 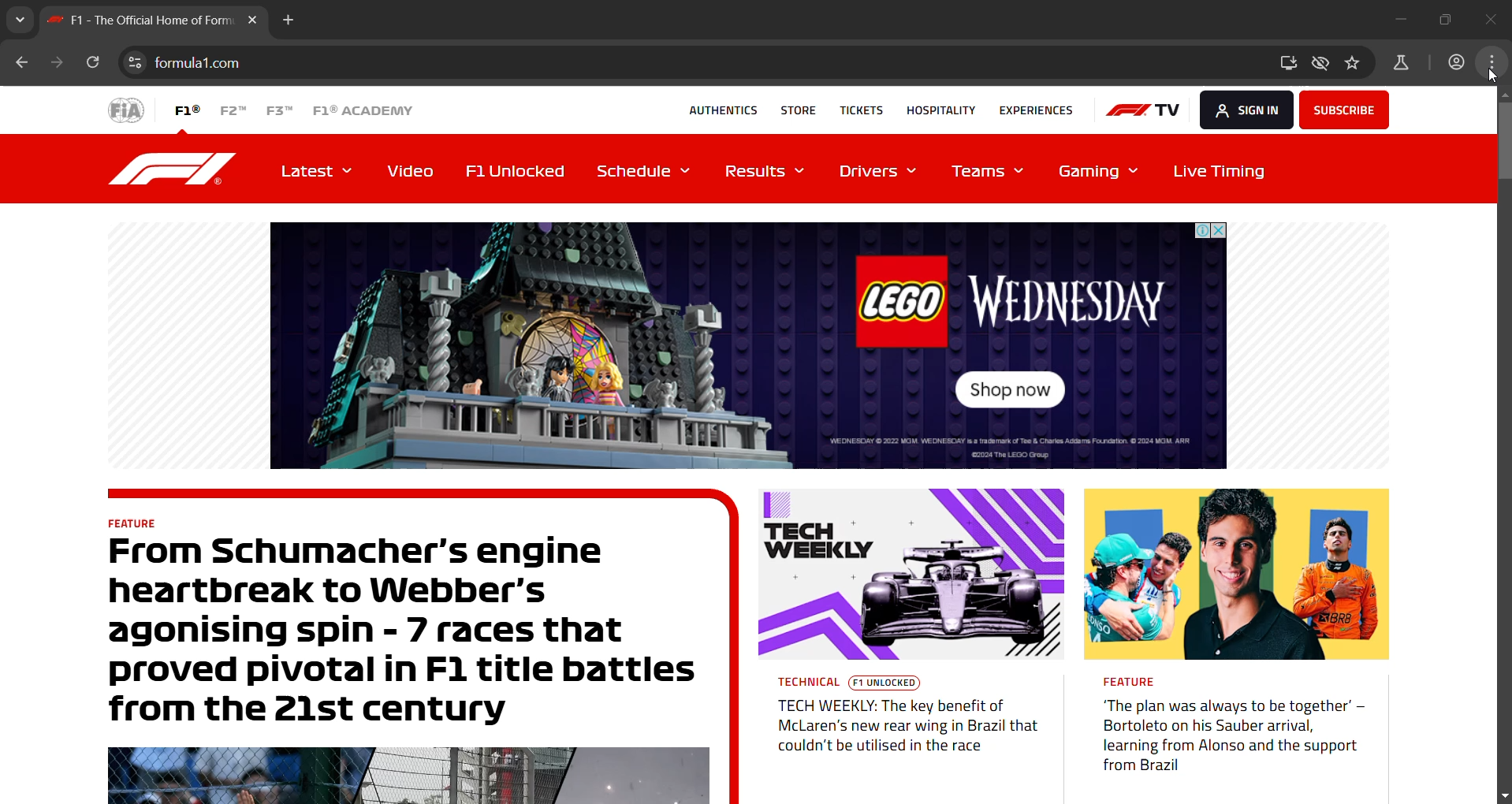 What do you see at coordinates (289, 24) in the screenshot?
I see `add new tab` at bounding box center [289, 24].